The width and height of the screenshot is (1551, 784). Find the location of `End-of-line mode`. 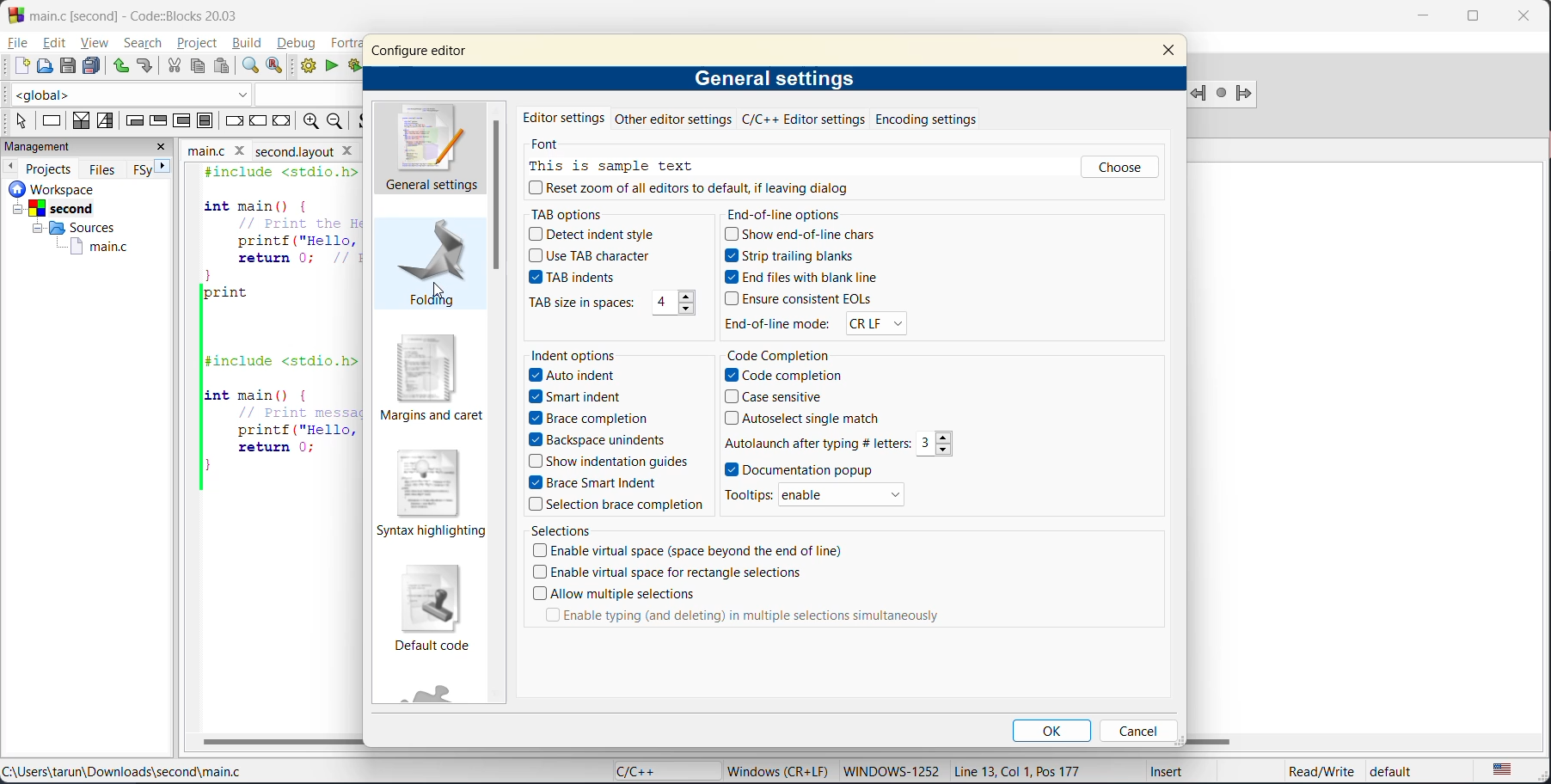

End-of-line mode is located at coordinates (778, 324).